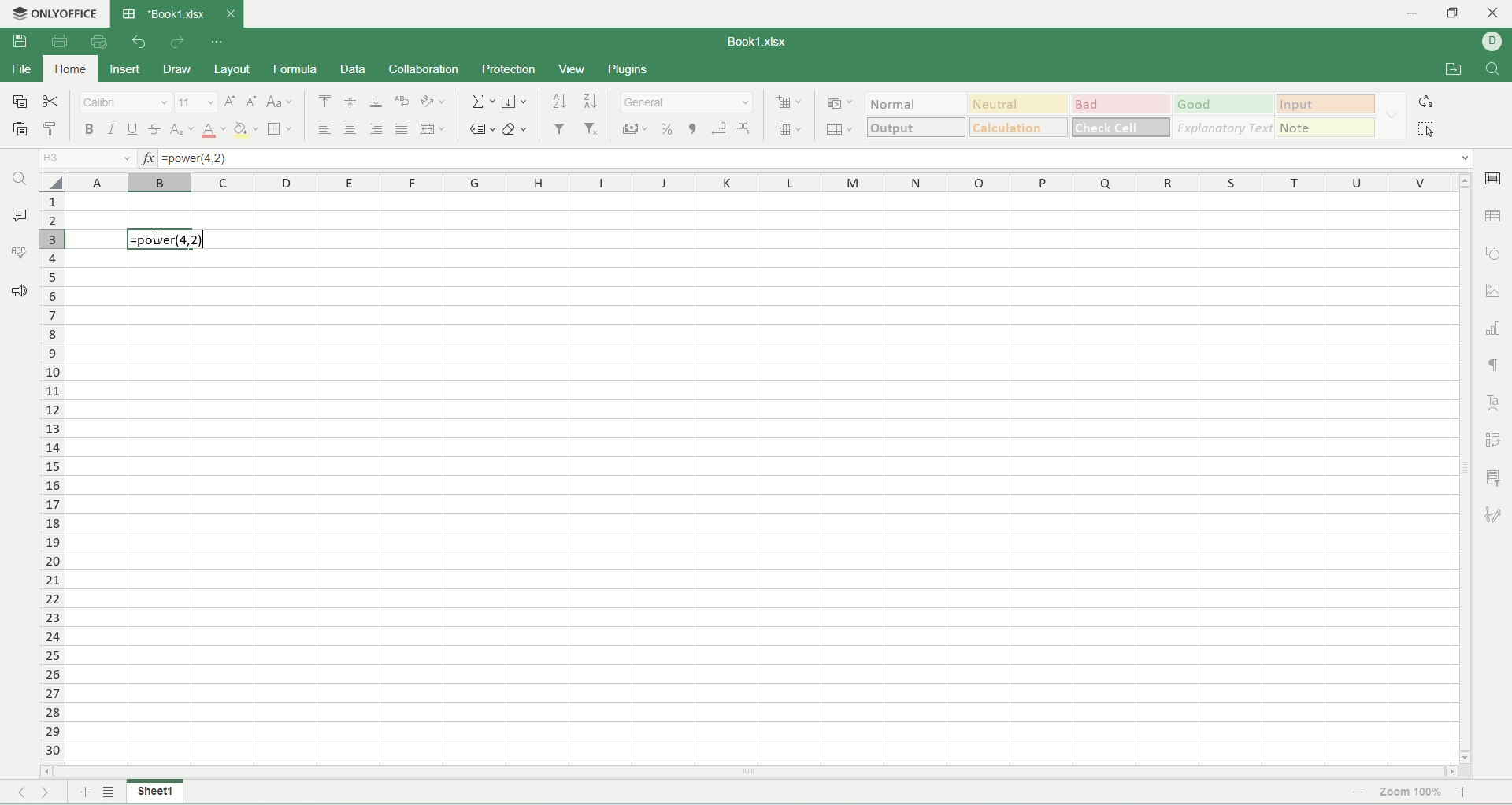  What do you see at coordinates (157, 239) in the screenshot?
I see `cursor` at bounding box center [157, 239].